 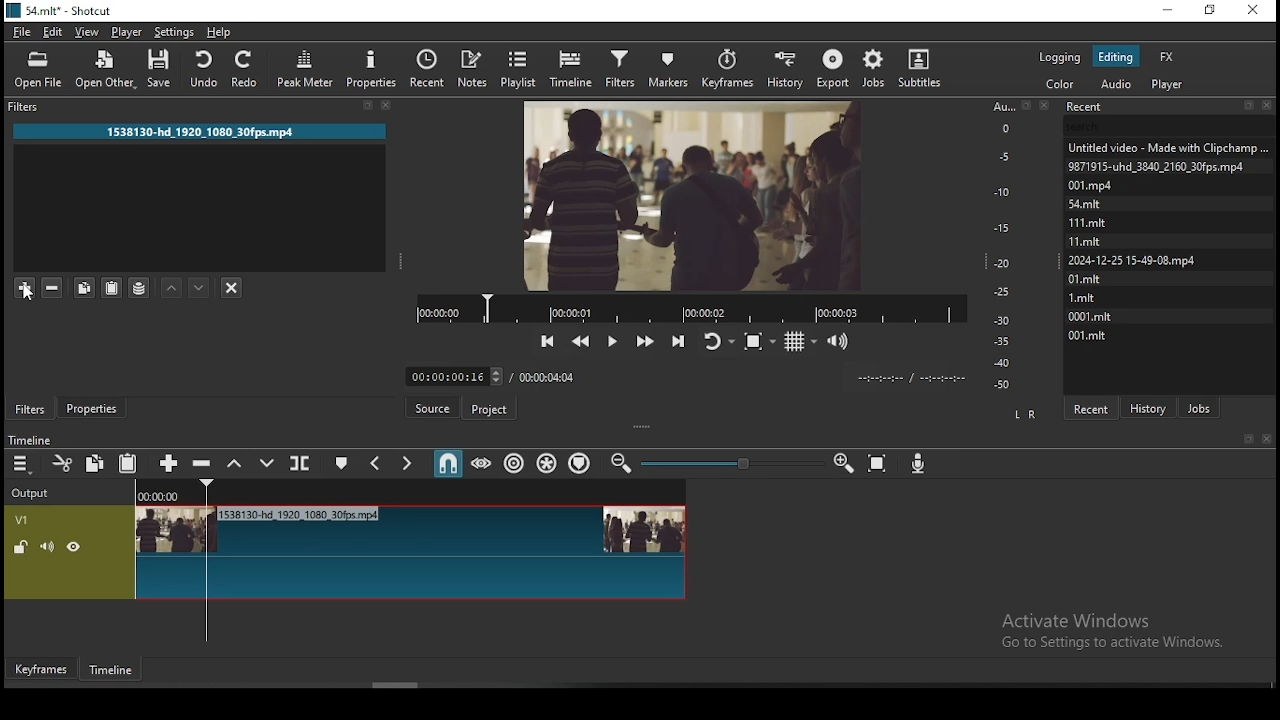 What do you see at coordinates (1171, 84) in the screenshot?
I see `player` at bounding box center [1171, 84].